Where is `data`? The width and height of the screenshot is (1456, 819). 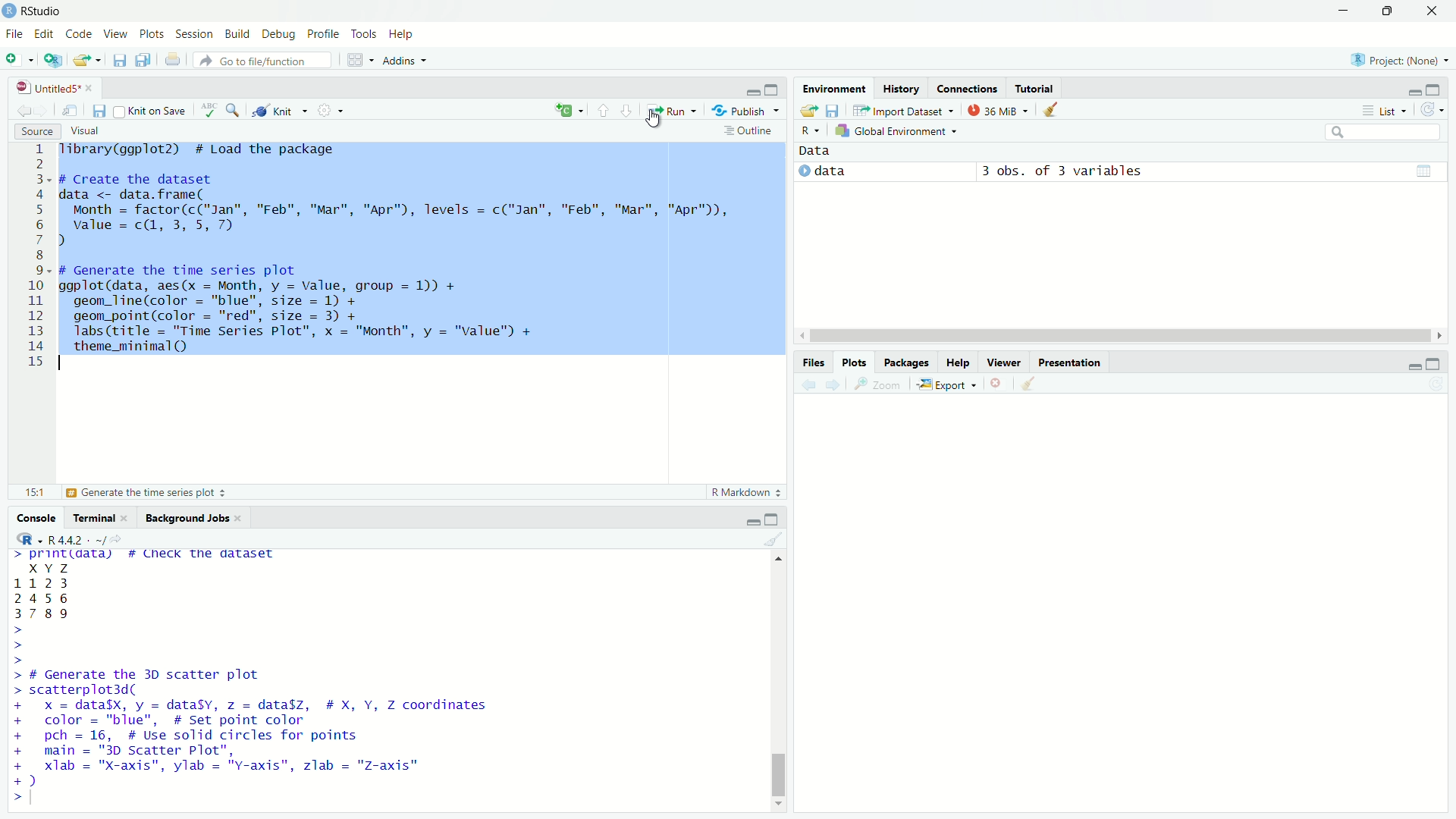
data is located at coordinates (60, 591).